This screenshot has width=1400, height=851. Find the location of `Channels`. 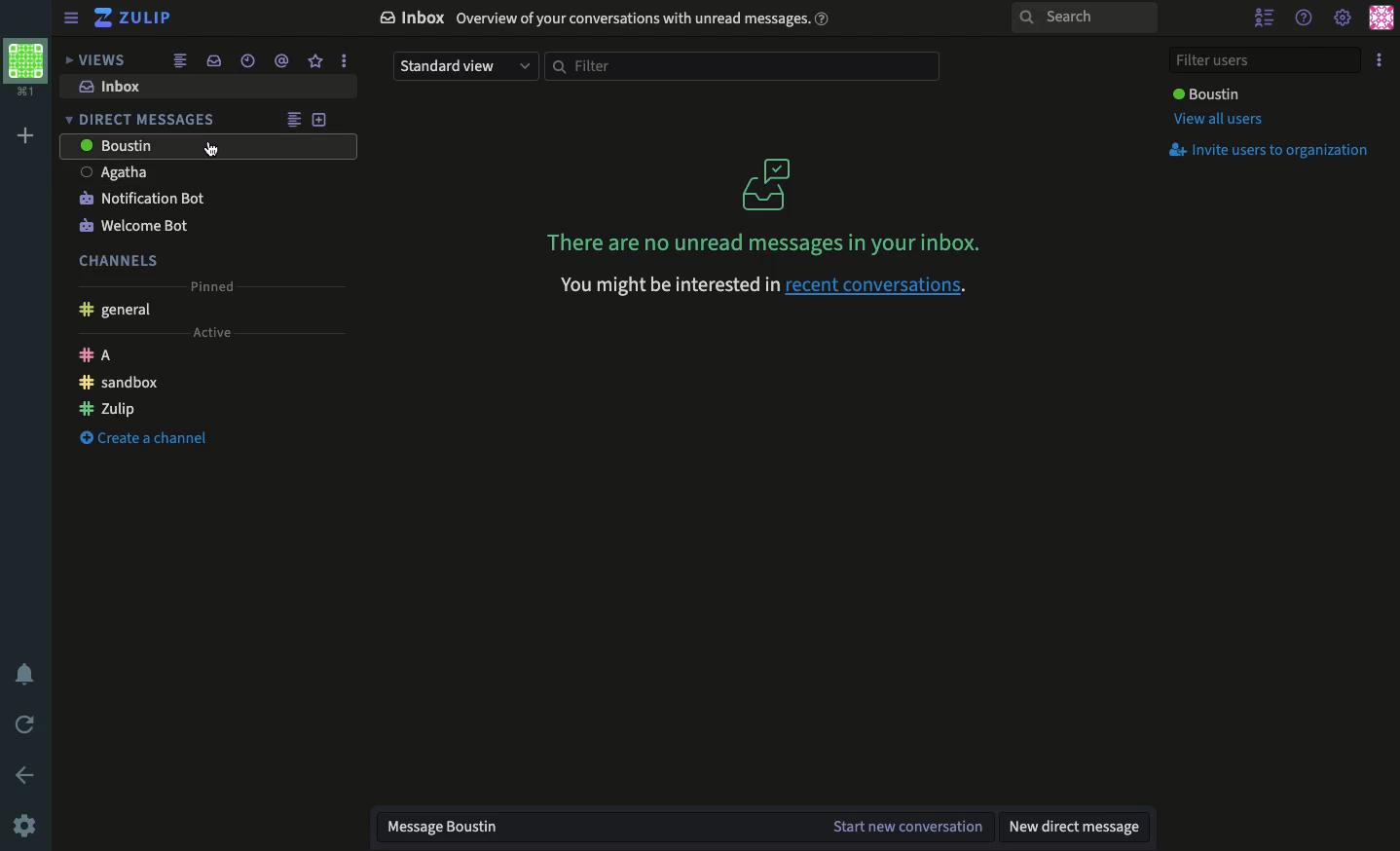

Channels is located at coordinates (122, 262).